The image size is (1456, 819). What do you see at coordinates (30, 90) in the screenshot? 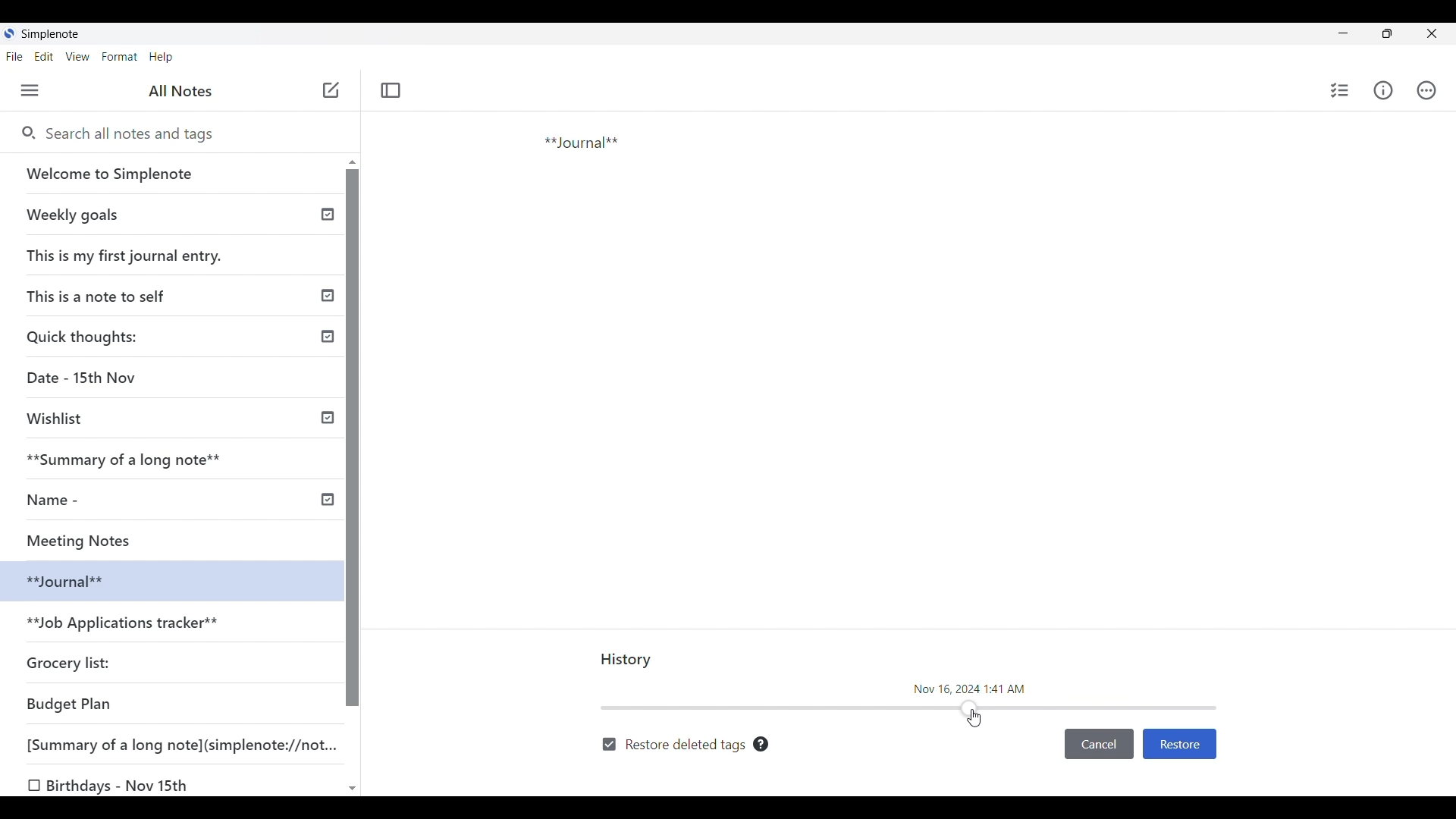
I see `Menu` at bounding box center [30, 90].